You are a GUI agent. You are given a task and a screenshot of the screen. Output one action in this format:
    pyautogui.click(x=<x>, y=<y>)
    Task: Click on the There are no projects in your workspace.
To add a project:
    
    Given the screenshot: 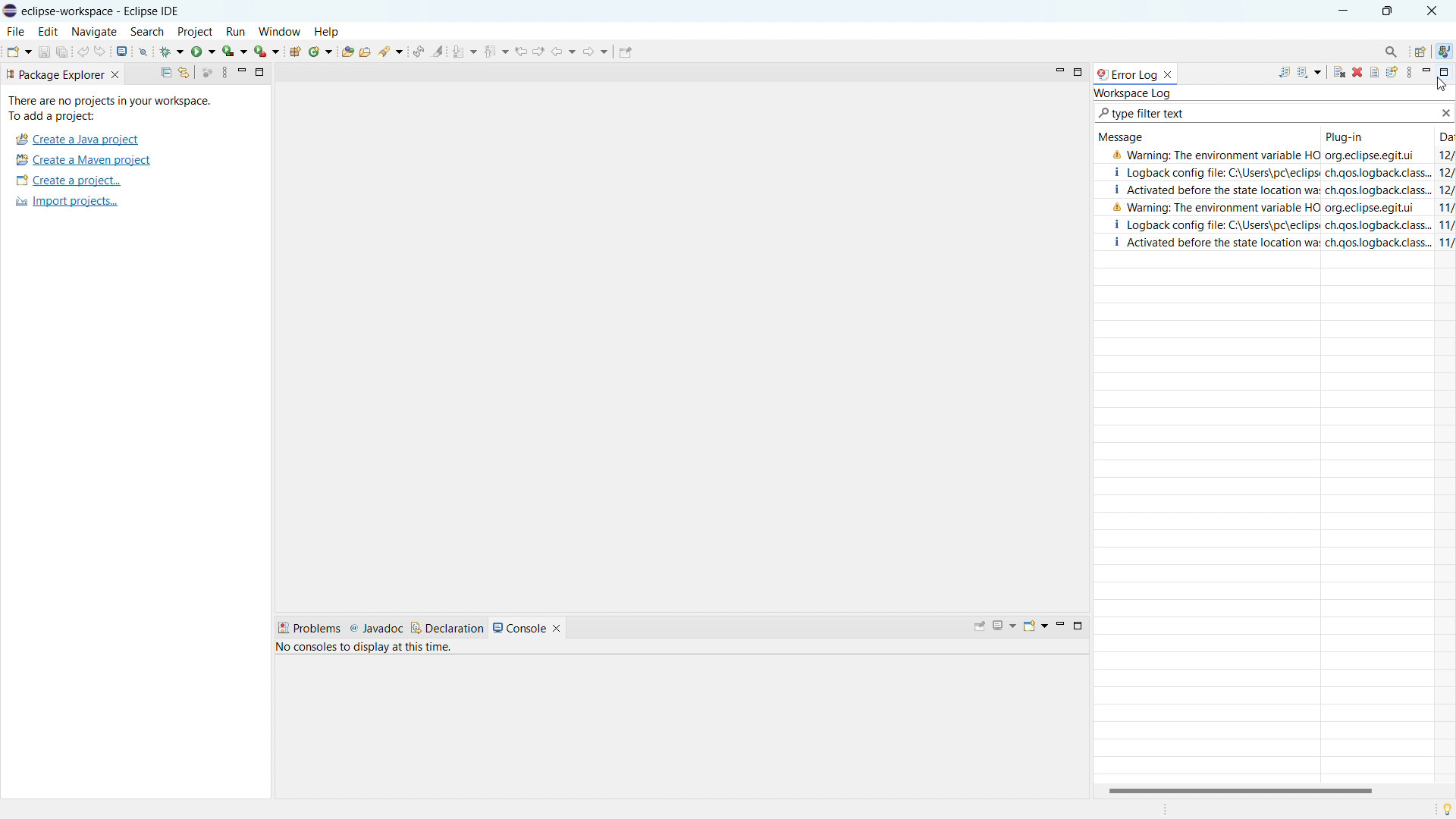 What is the action you would take?
    pyautogui.click(x=113, y=108)
    